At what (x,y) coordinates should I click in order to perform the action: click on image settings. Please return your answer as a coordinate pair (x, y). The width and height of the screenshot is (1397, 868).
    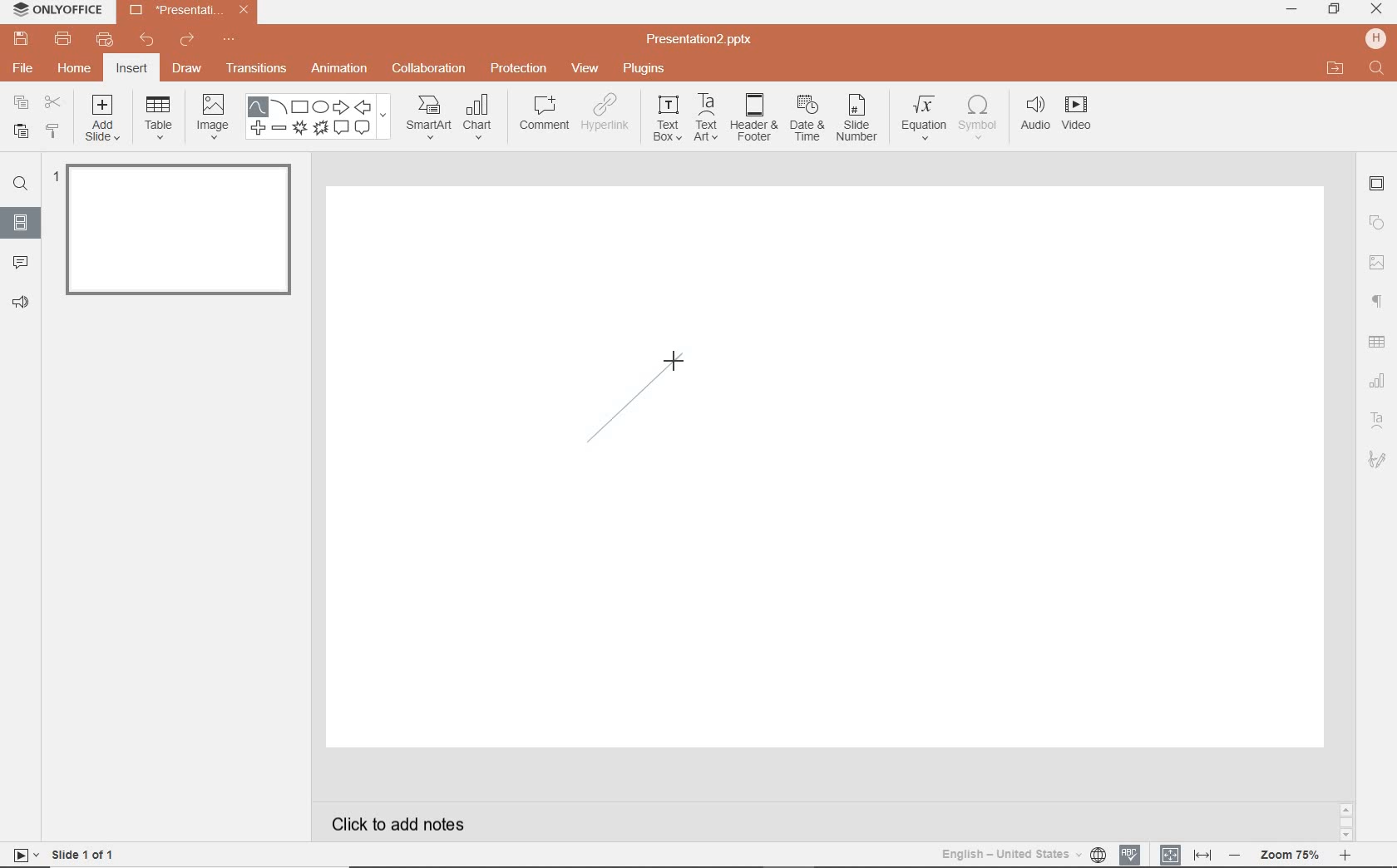
    Looking at the image, I should click on (1377, 262).